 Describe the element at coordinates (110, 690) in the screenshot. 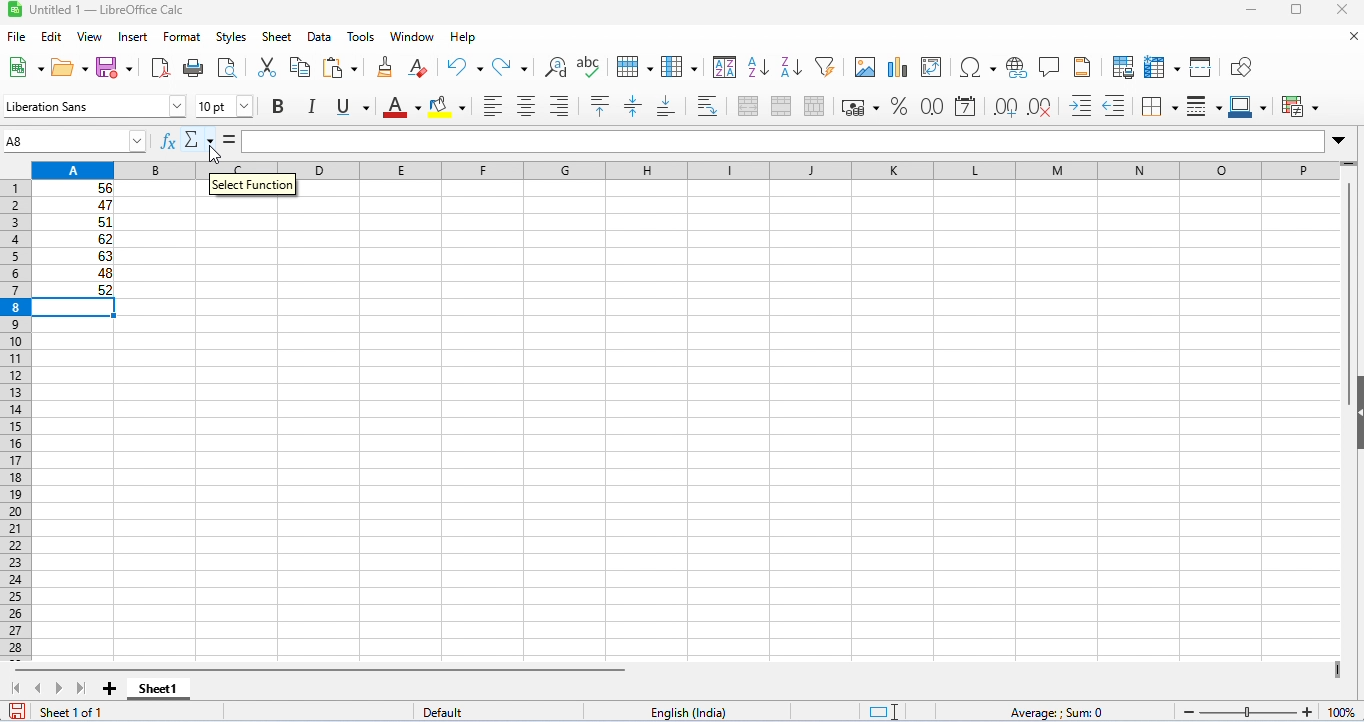

I see `add new sheet` at that location.